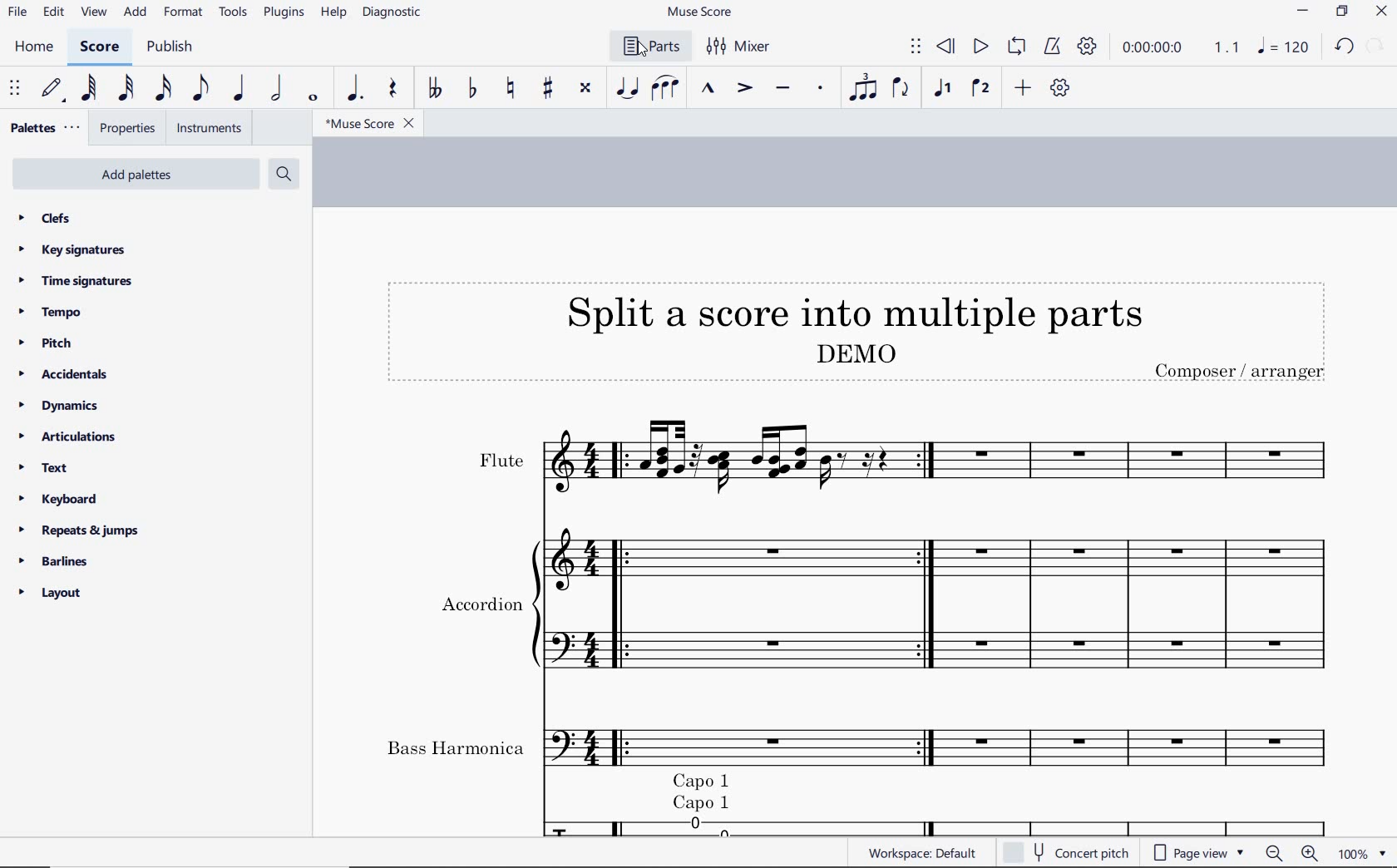  What do you see at coordinates (666, 89) in the screenshot?
I see `slur` at bounding box center [666, 89].